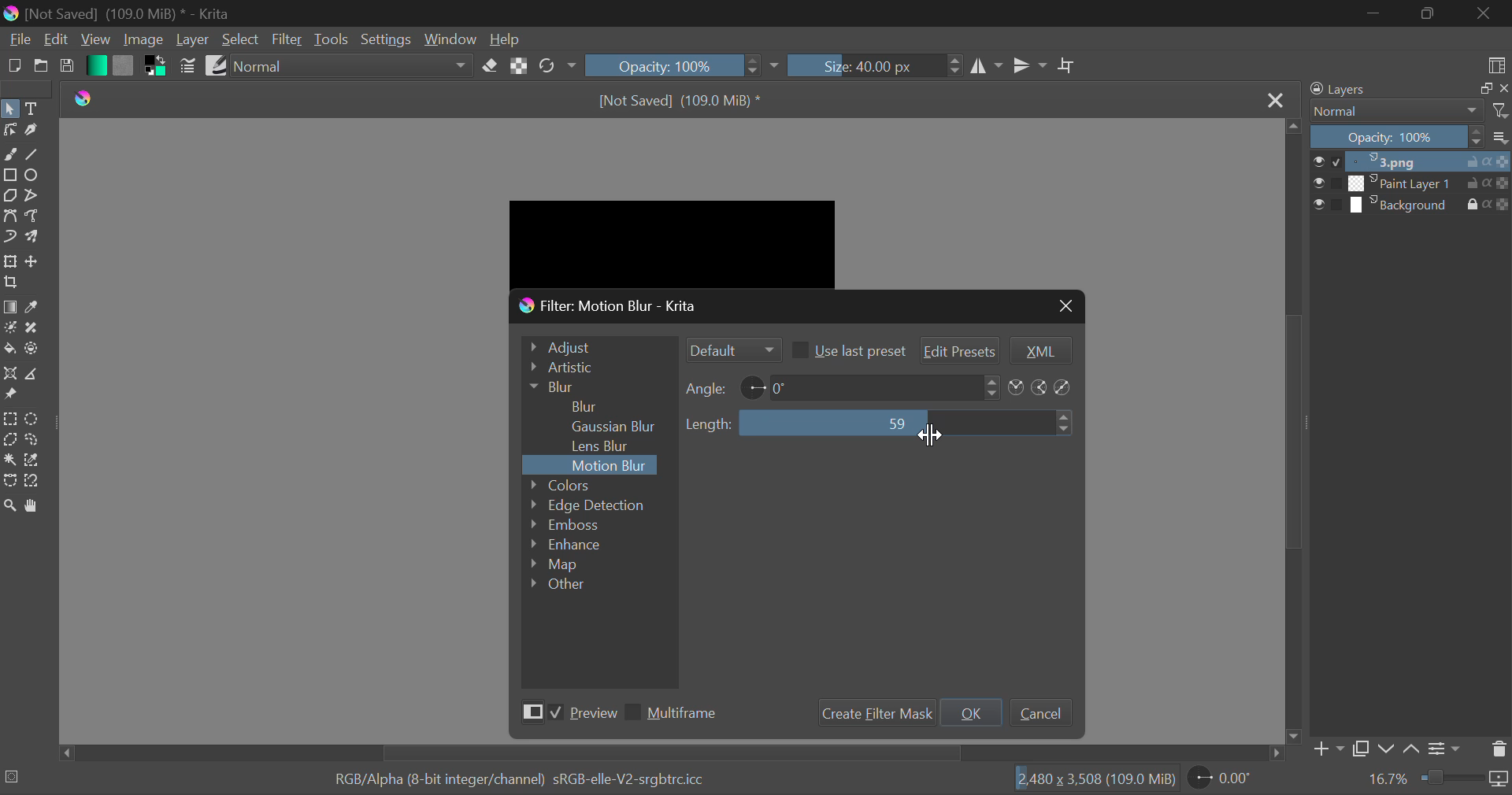 This screenshot has width=1512, height=795. What do you see at coordinates (863, 66) in the screenshot?
I see `Size: 40.00 px` at bounding box center [863, 66].